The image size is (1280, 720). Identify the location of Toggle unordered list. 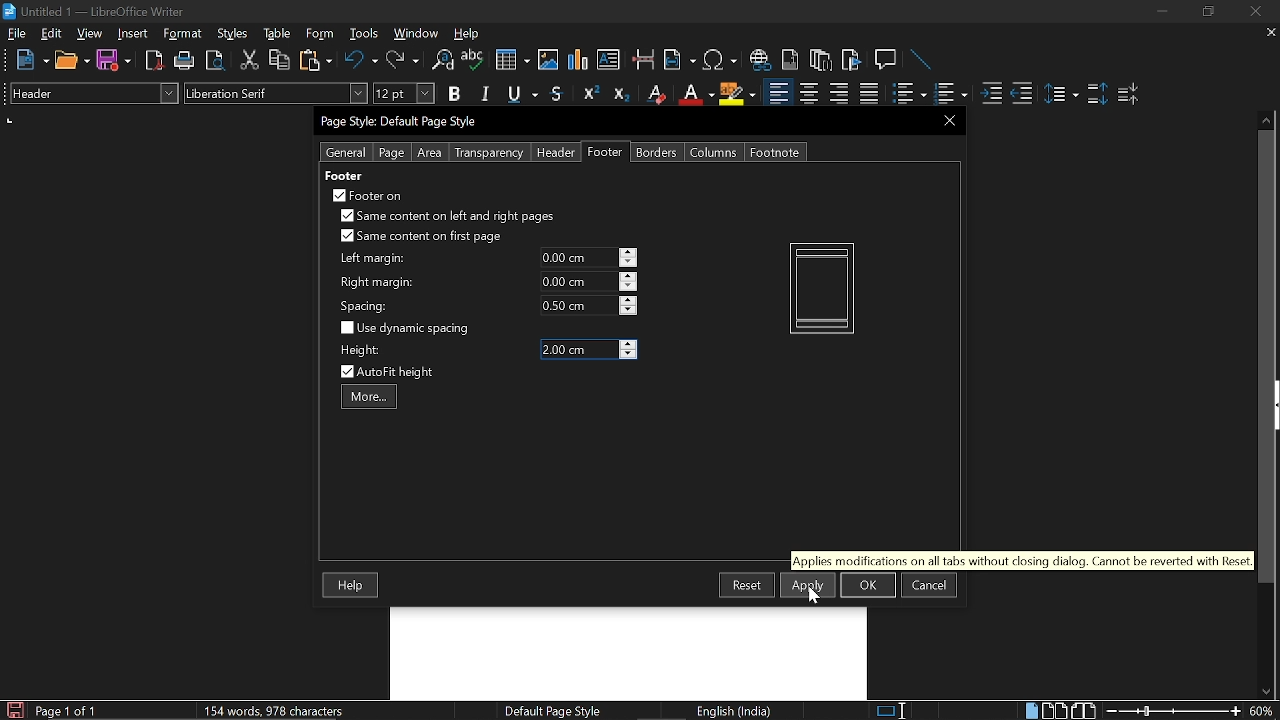
(949, 94).